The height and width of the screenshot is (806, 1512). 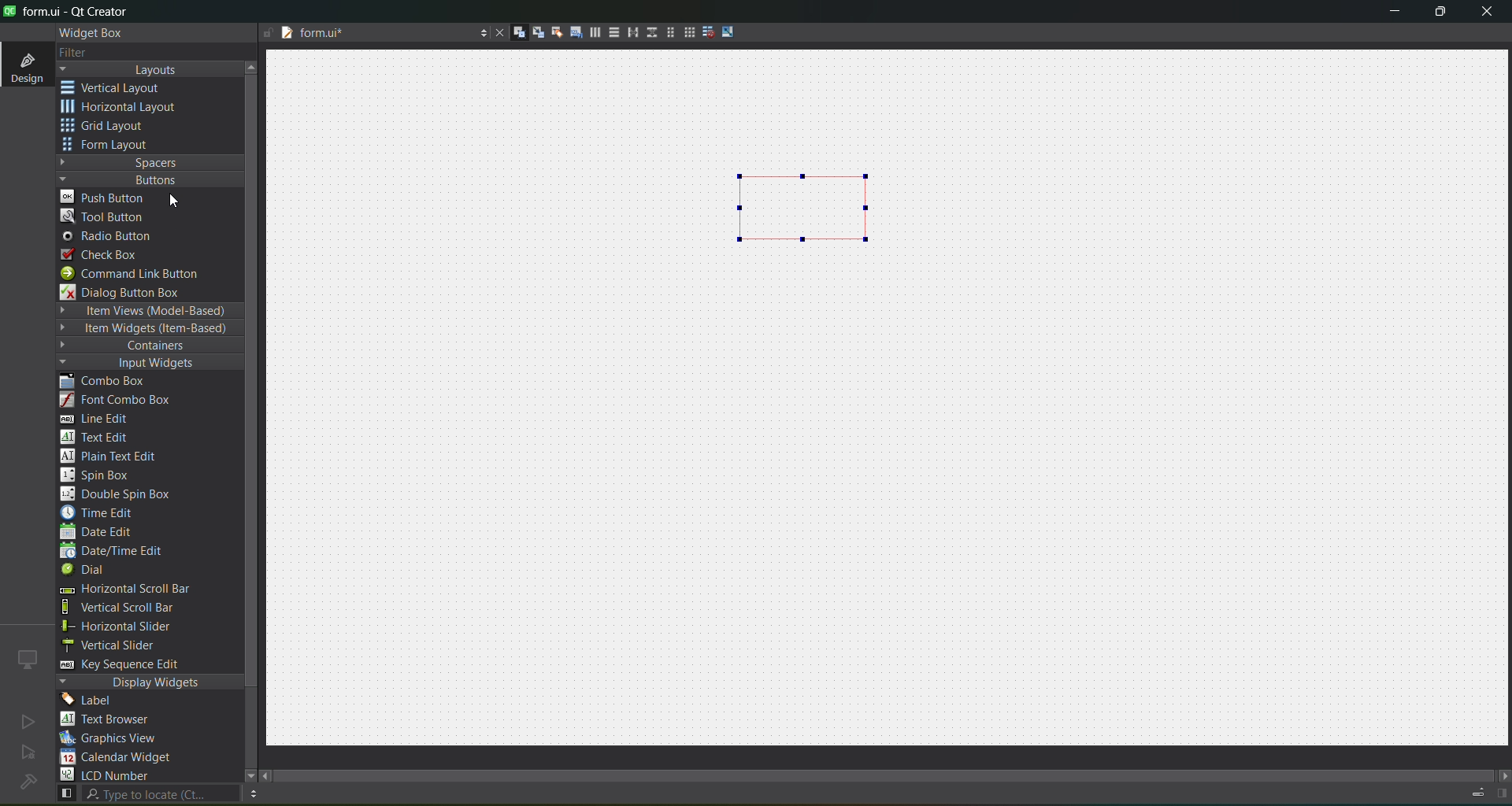 I want to click on tool, so click(x=106, y=216).